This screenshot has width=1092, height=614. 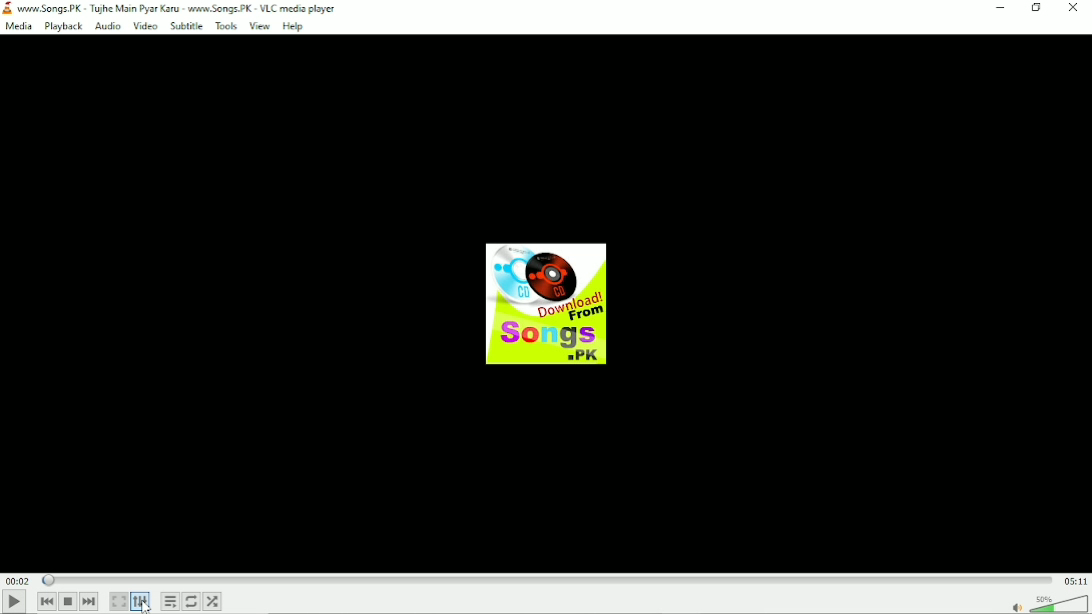 What do you see at coordinates (550, 580) in the screenshot?
I see `Play duration` at bounding box center [550, 580].